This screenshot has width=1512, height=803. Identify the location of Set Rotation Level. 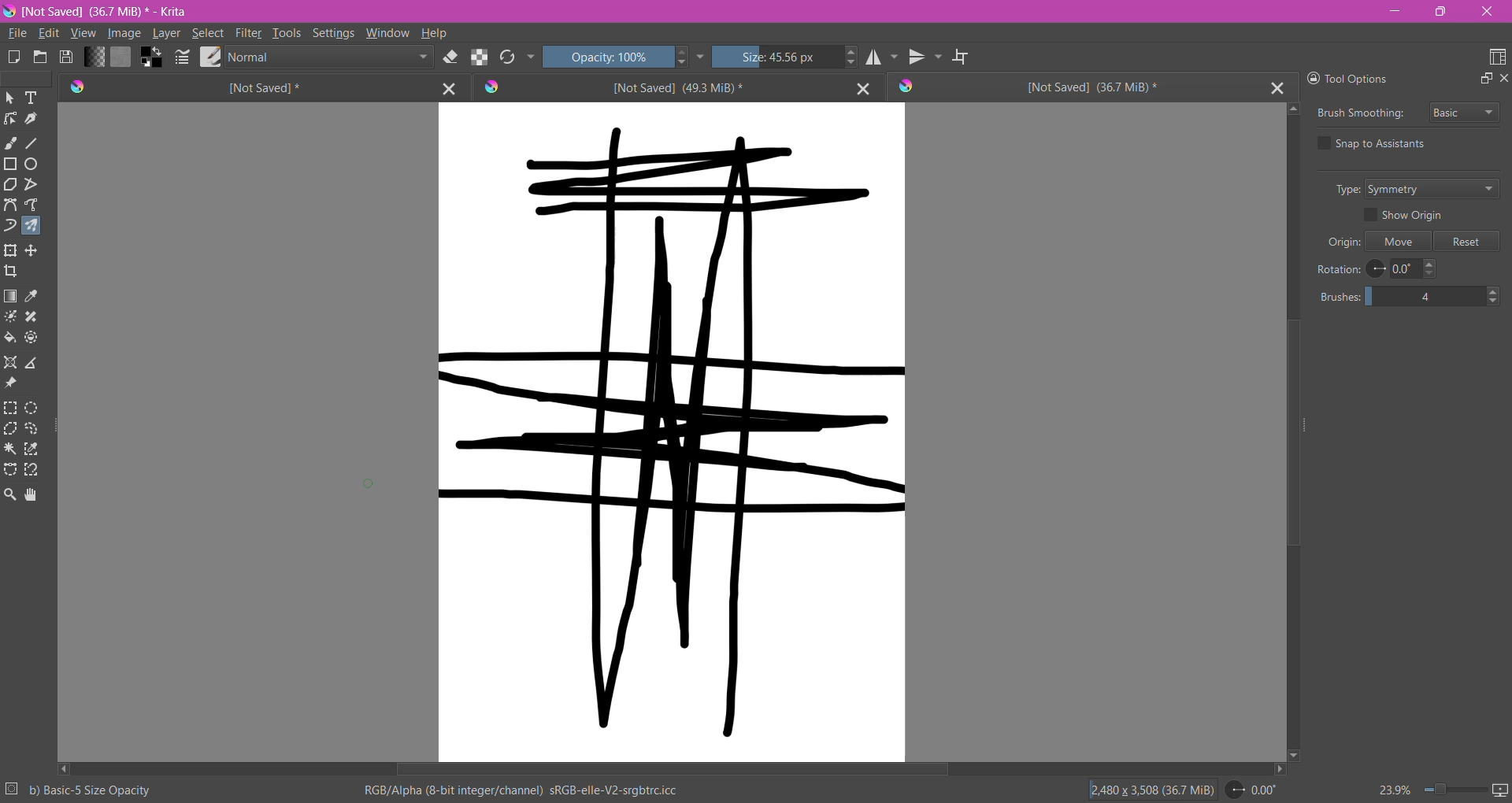
(1408, 271).